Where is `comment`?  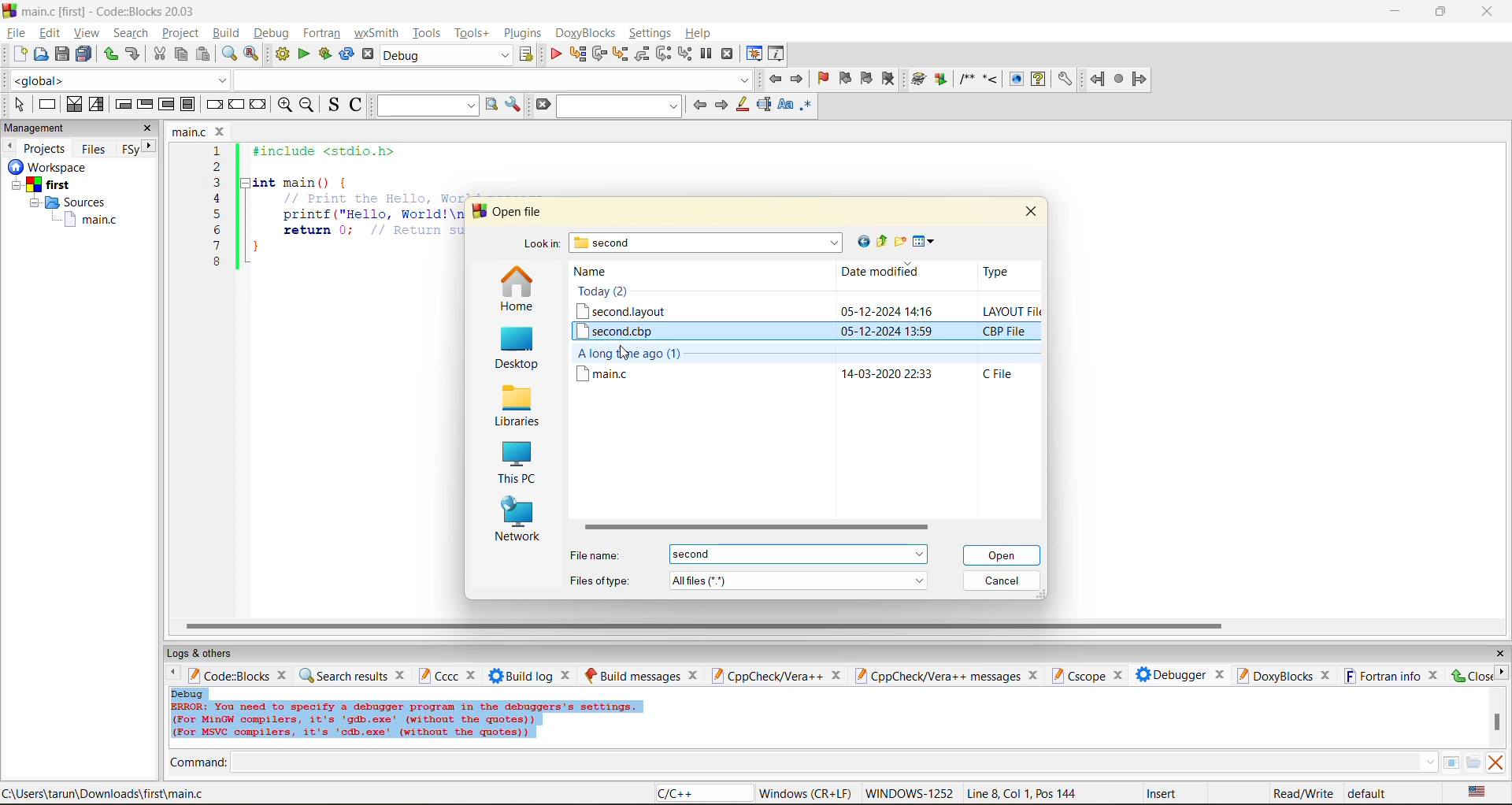
comment is located at coordinates (966, 79).